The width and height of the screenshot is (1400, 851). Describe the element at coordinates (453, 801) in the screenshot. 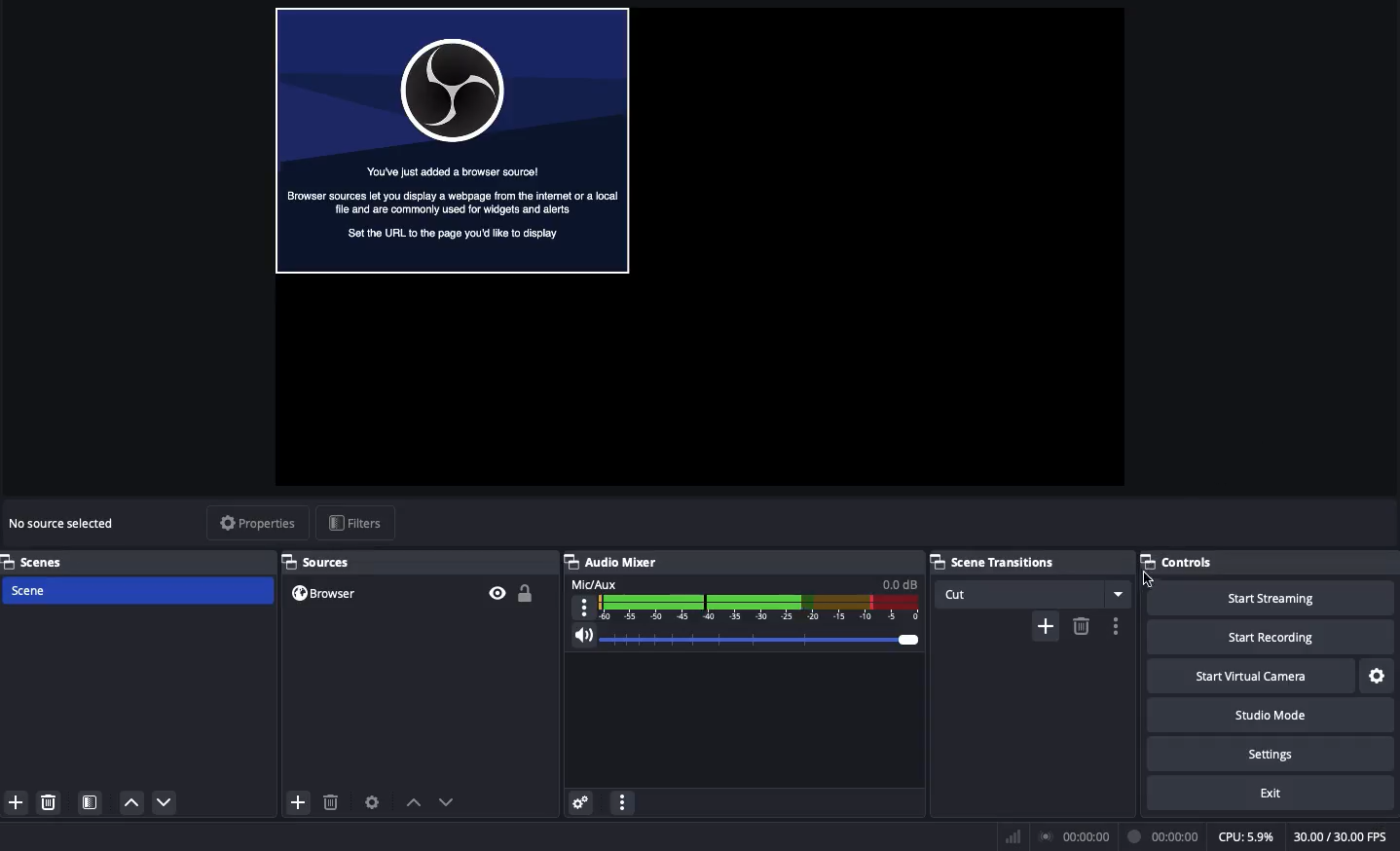

I see `move down` at that location.